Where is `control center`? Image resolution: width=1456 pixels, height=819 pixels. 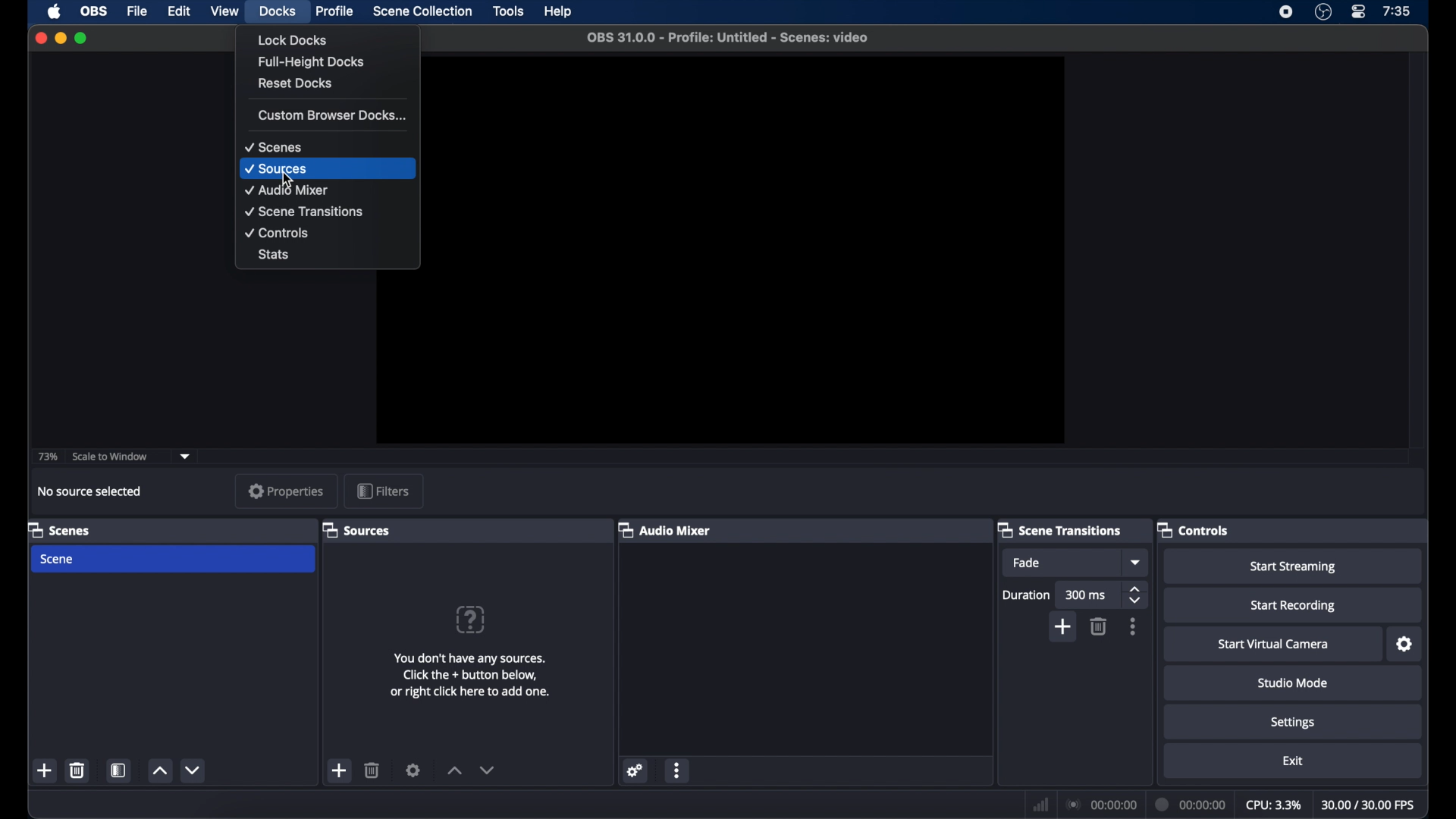 control center is located at coordinates (1357, 12).